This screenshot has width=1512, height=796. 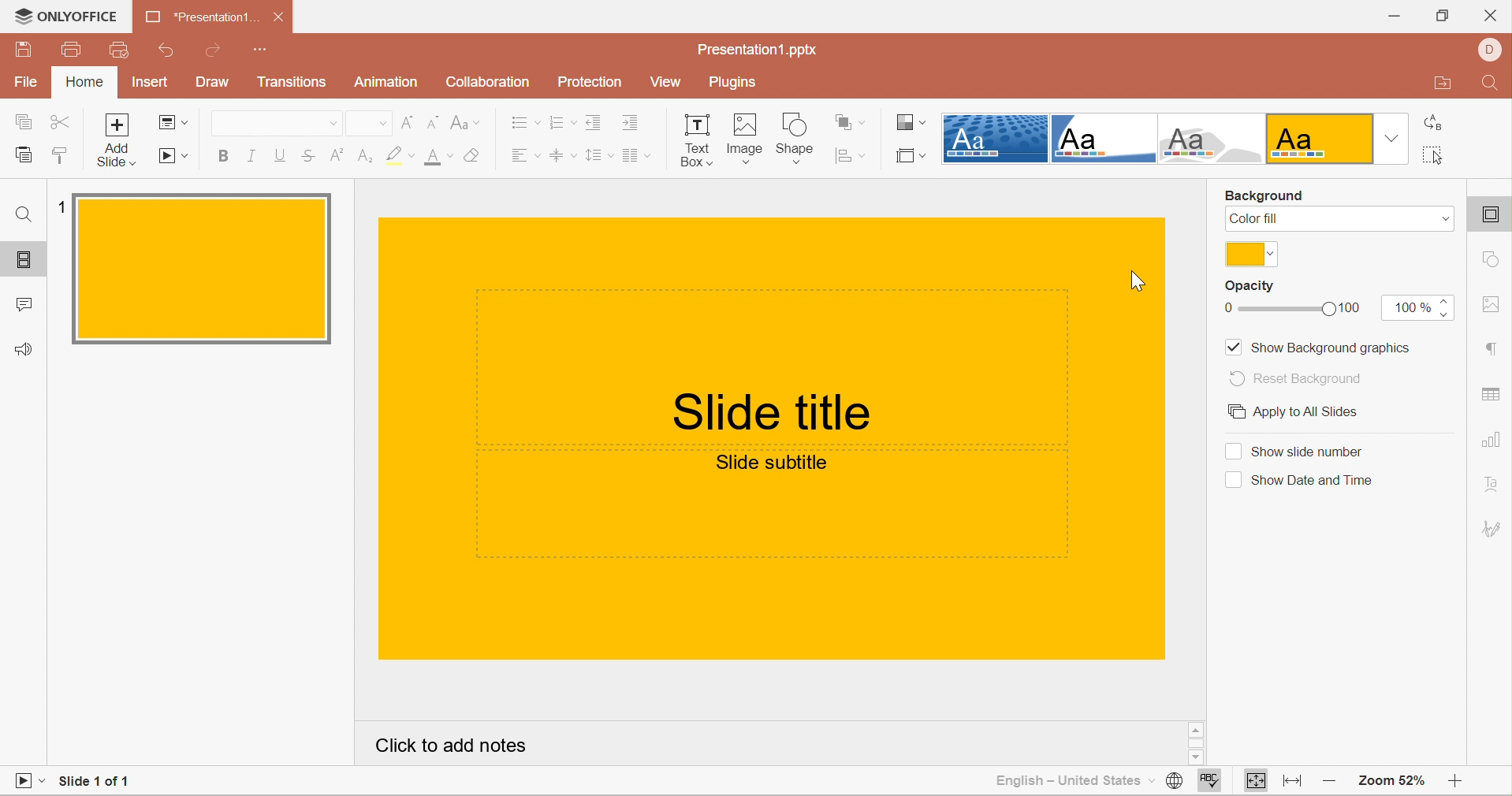 What do you see at coordinates (850, 154) in the screenshot?
I see `Align shape` at bounding box center [850, 154].